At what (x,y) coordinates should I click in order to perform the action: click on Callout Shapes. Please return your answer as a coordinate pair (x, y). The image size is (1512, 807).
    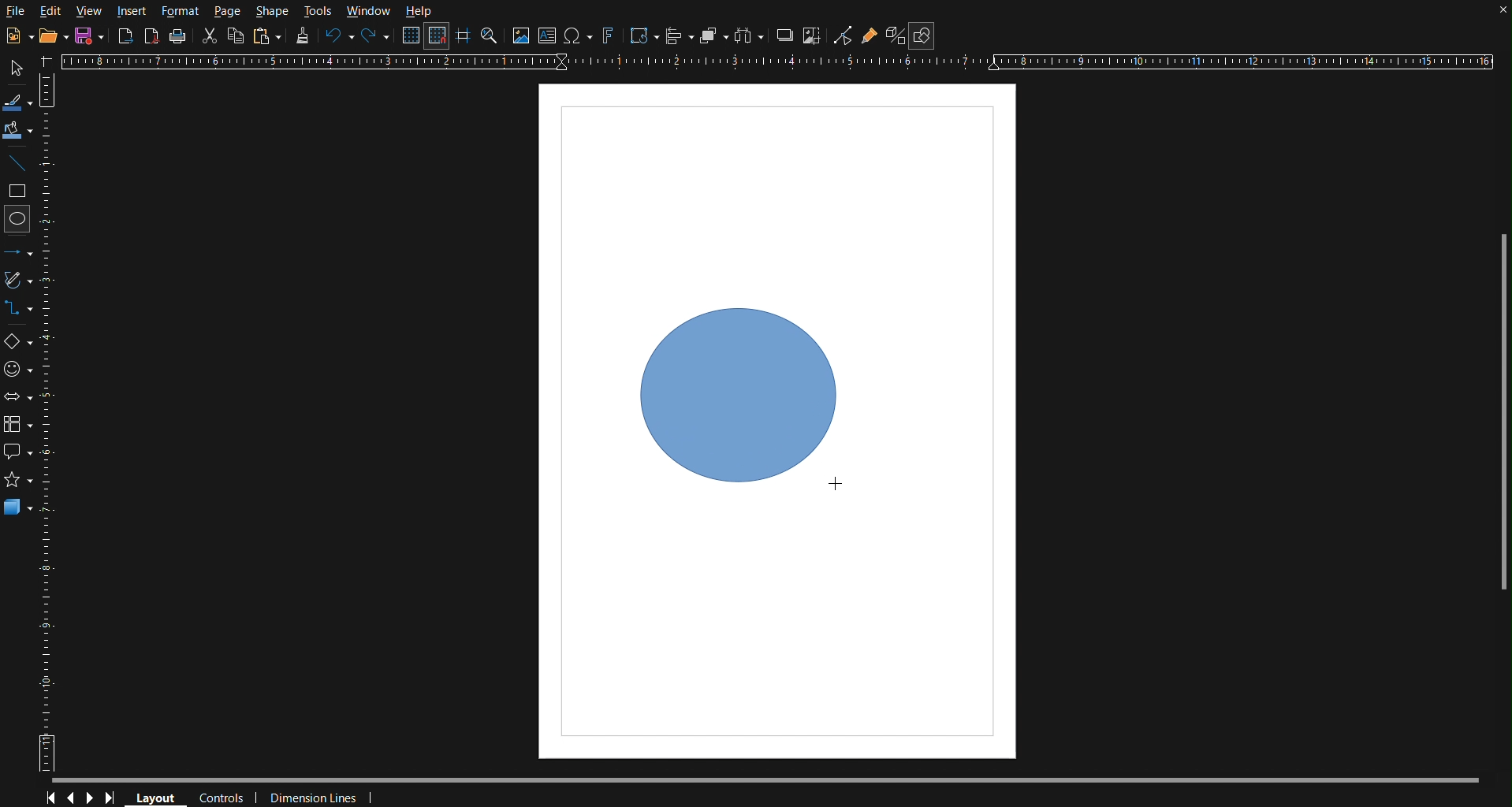
    Looking at the image, I should click on (18, 449).